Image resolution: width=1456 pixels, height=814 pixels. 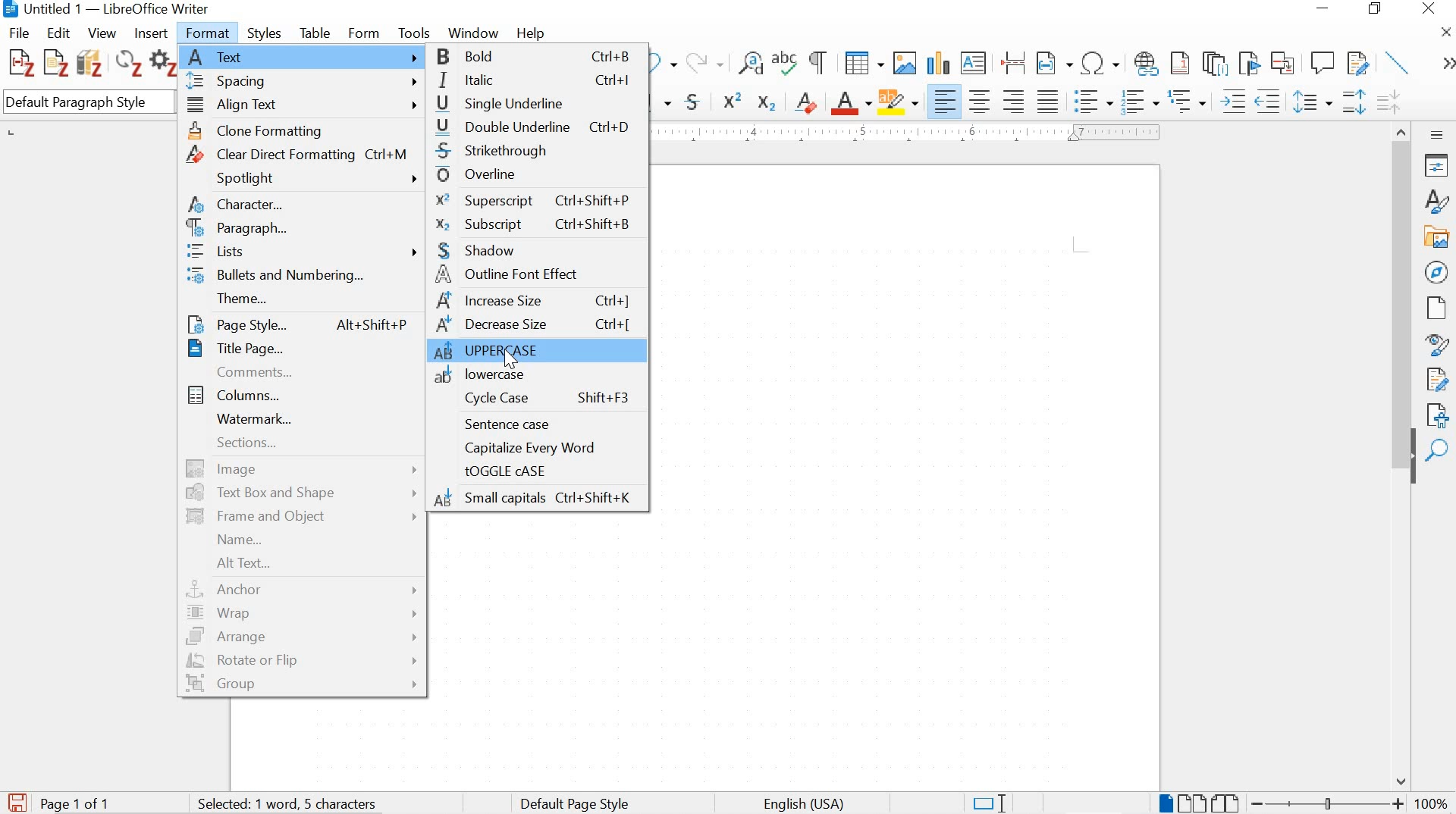 I want to click on insert field, so click(x=1054, y=64).